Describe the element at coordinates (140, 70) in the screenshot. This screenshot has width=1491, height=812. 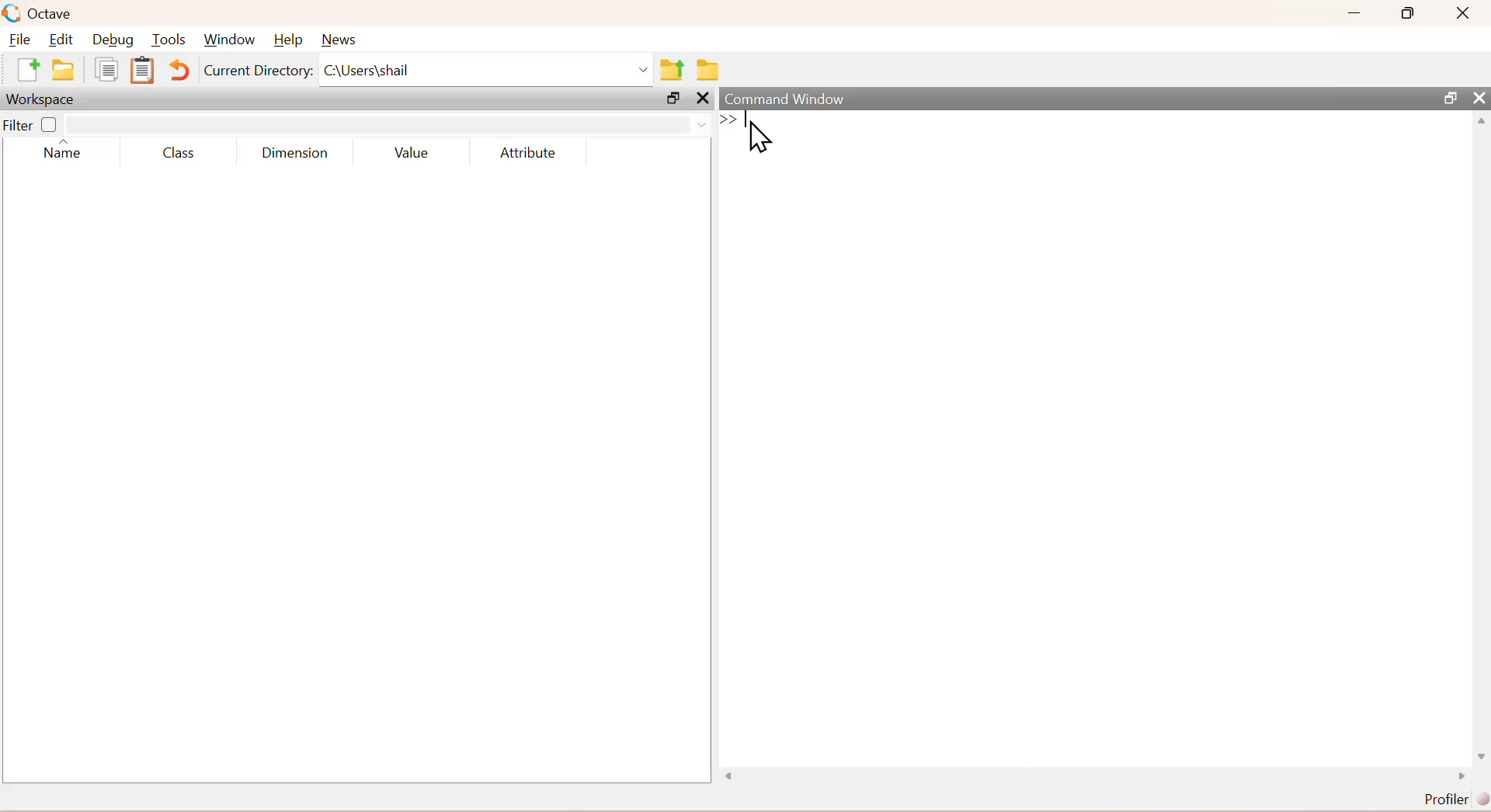
I see `Paste` at that location.